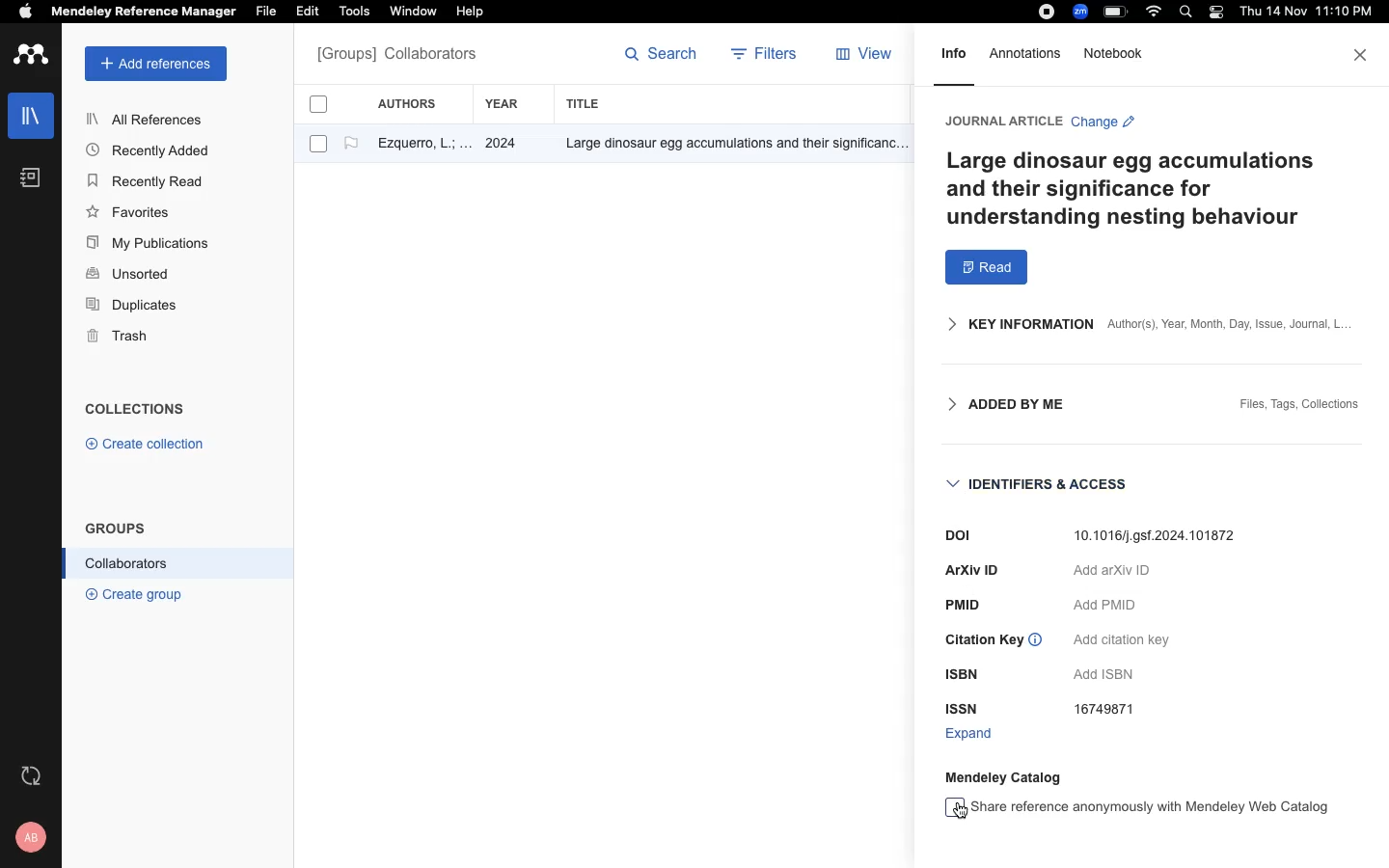 The height and width of the screenshot is (868, 1389). I want to click on 16749871, so click(1111, 712).